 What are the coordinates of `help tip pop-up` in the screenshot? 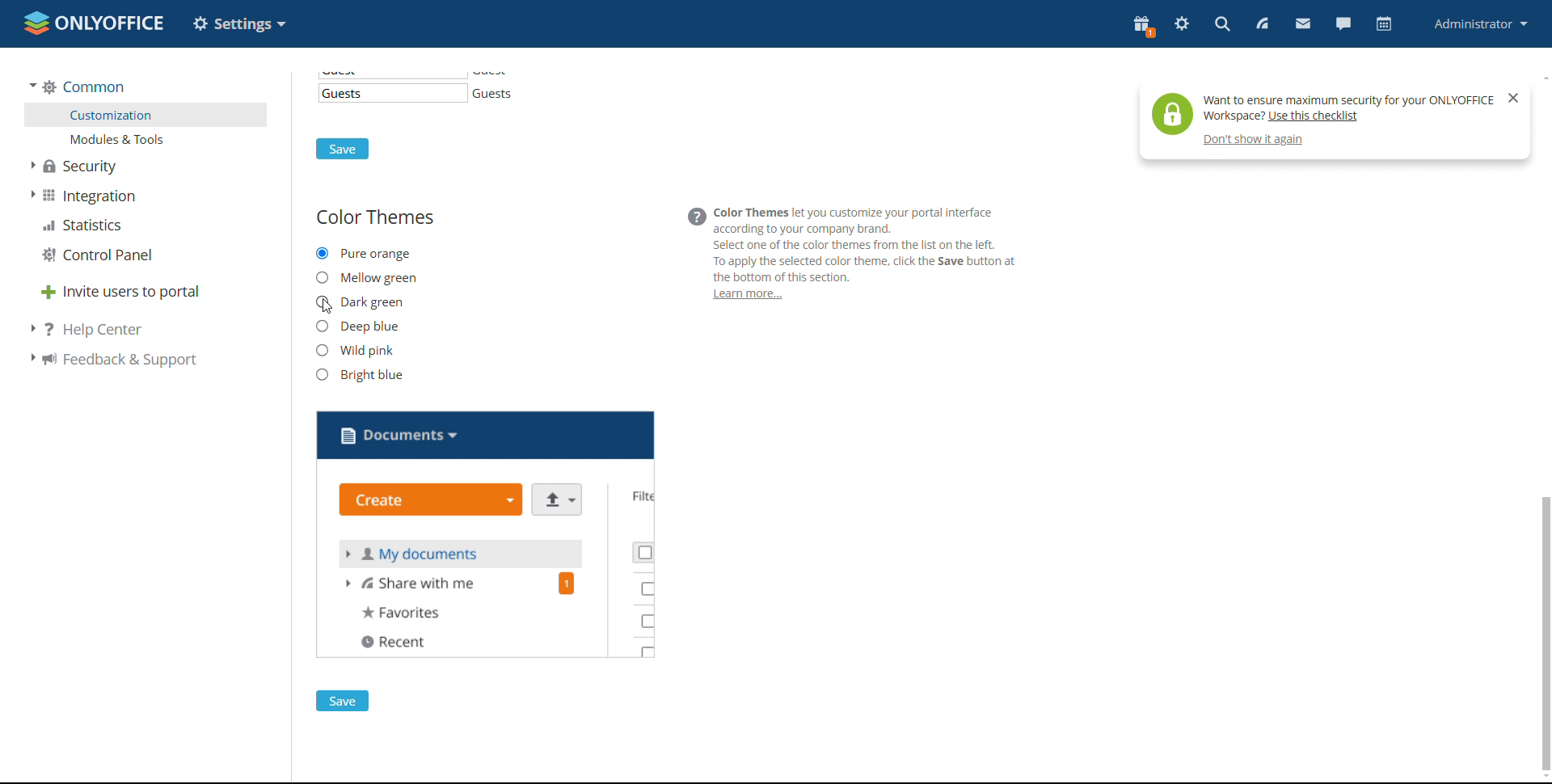 It's located at (1318, 109).